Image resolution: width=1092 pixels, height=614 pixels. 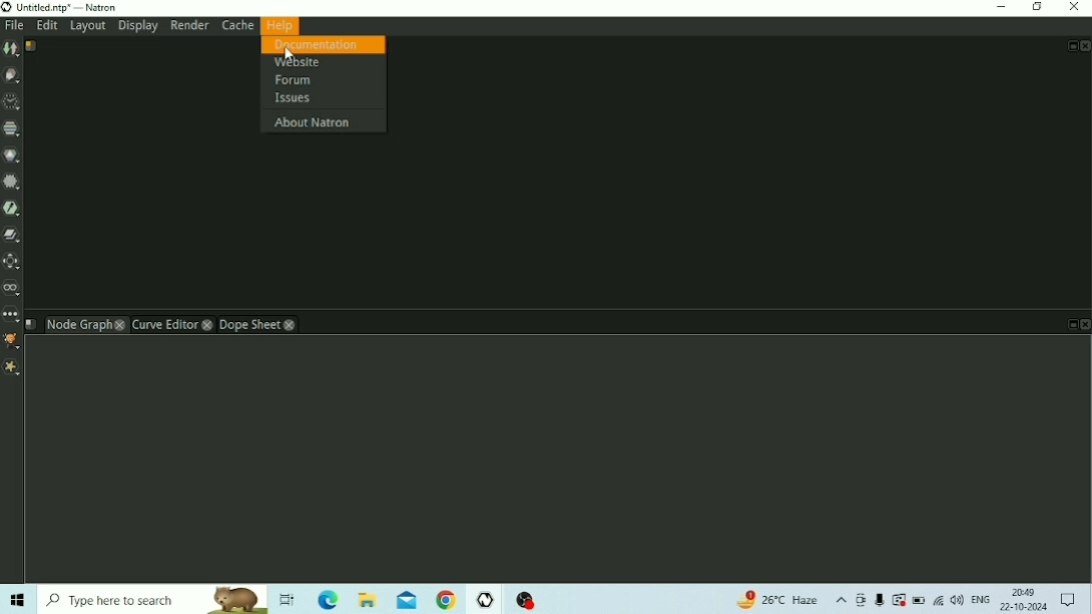 I want to click on Close Pan, so click(x=1085, y=46).